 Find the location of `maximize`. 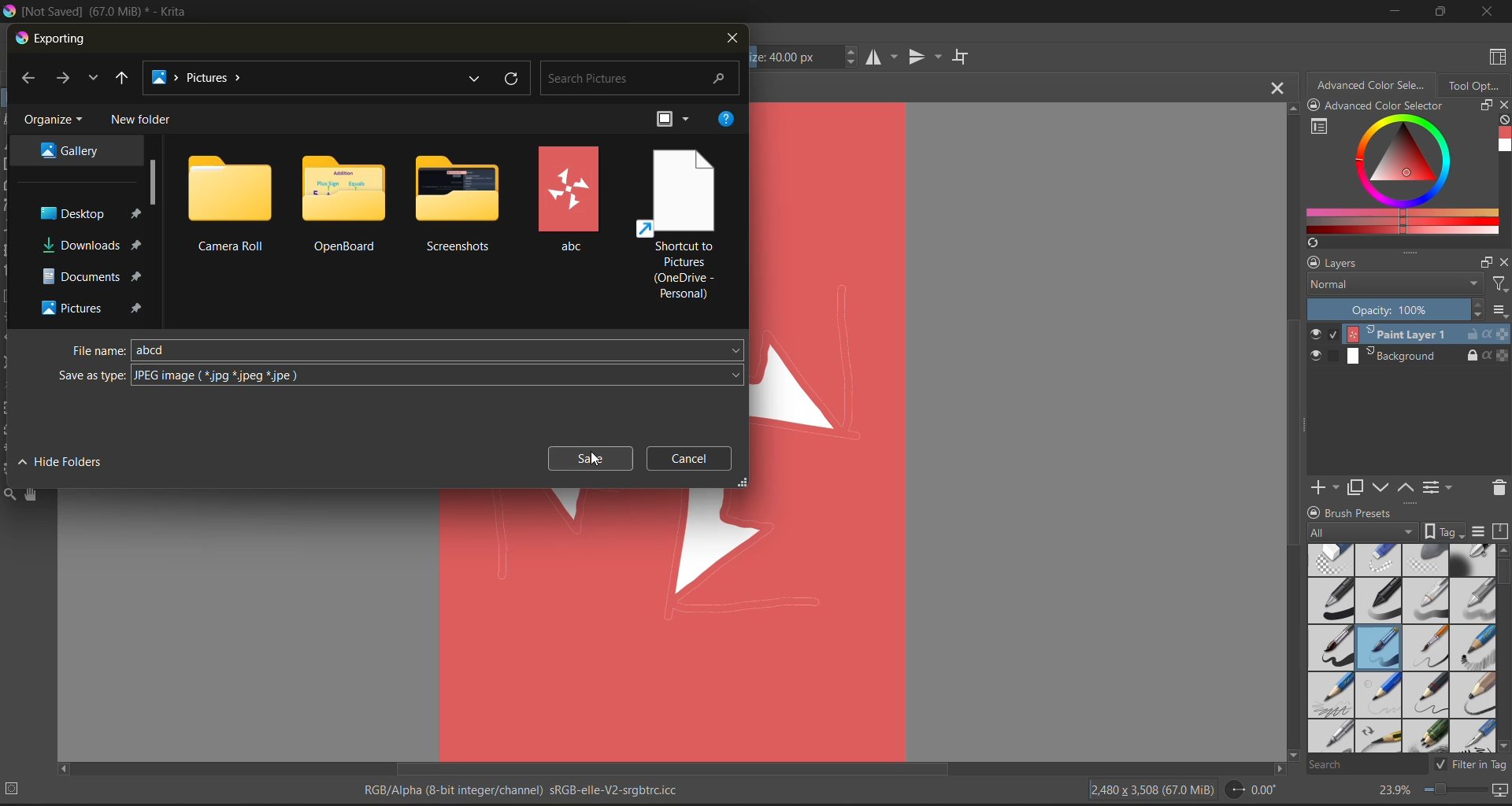

maximize is located at coordinates (1440, 10).